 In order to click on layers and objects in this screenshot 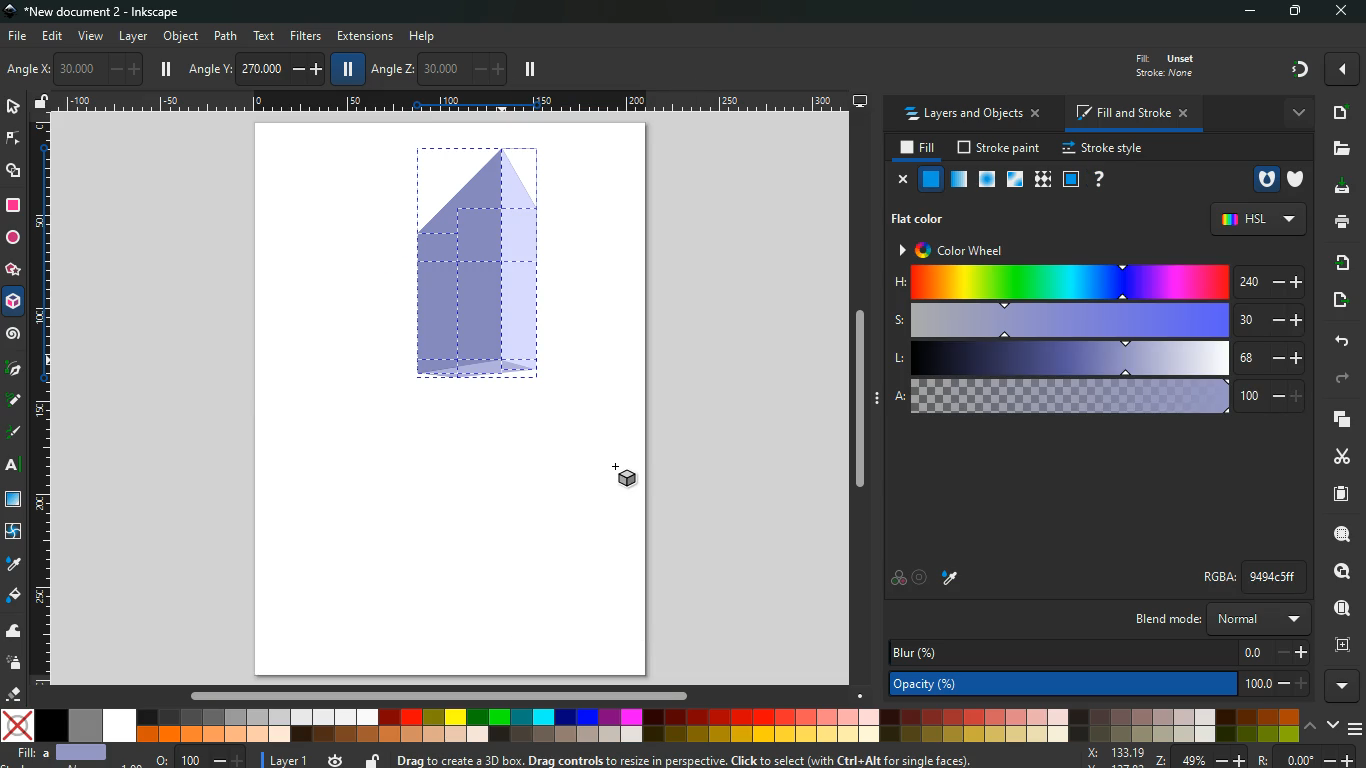, I will do `click(972, 115)`.